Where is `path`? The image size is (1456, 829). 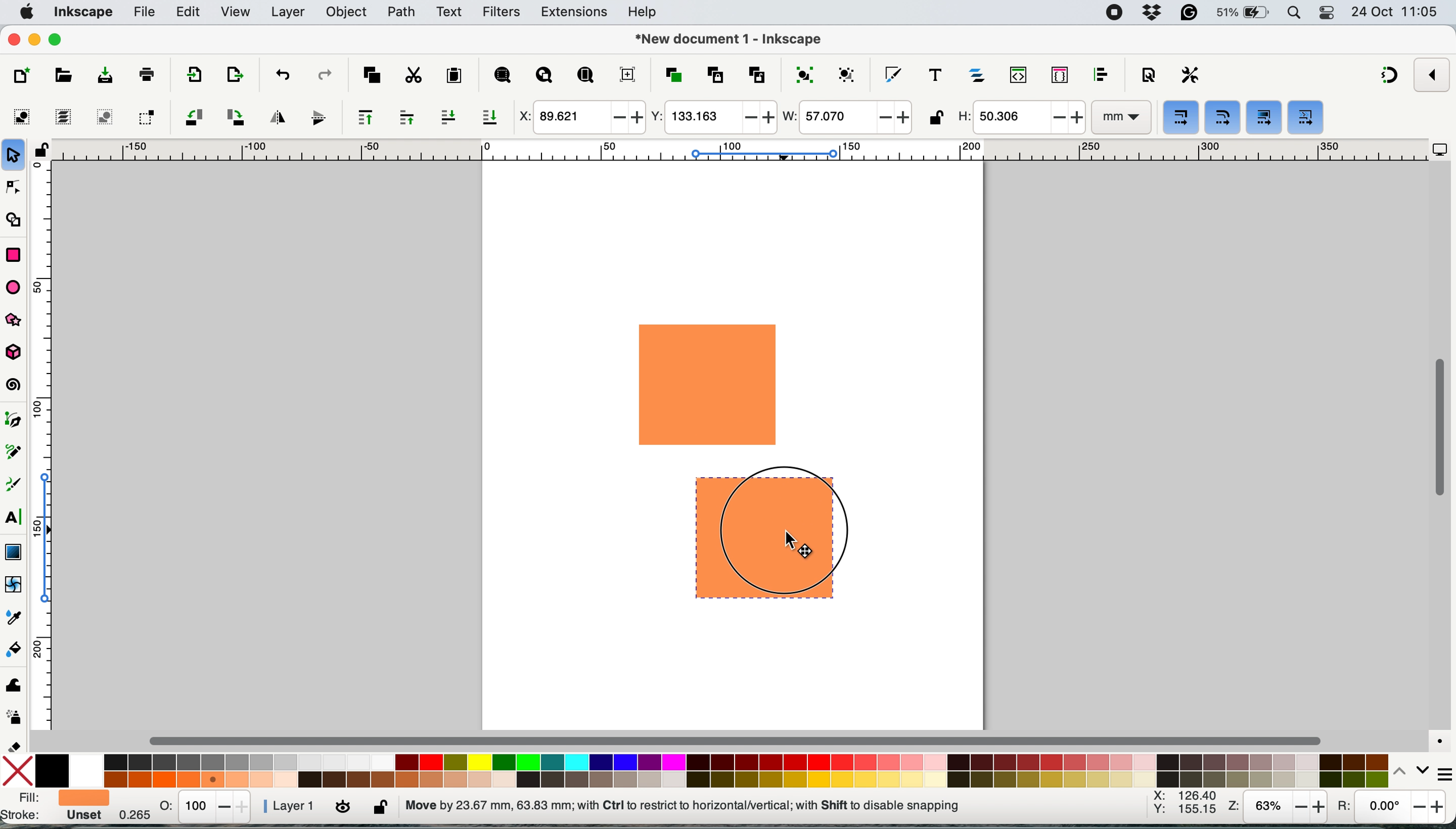
path is located at coordinates (401, 12).